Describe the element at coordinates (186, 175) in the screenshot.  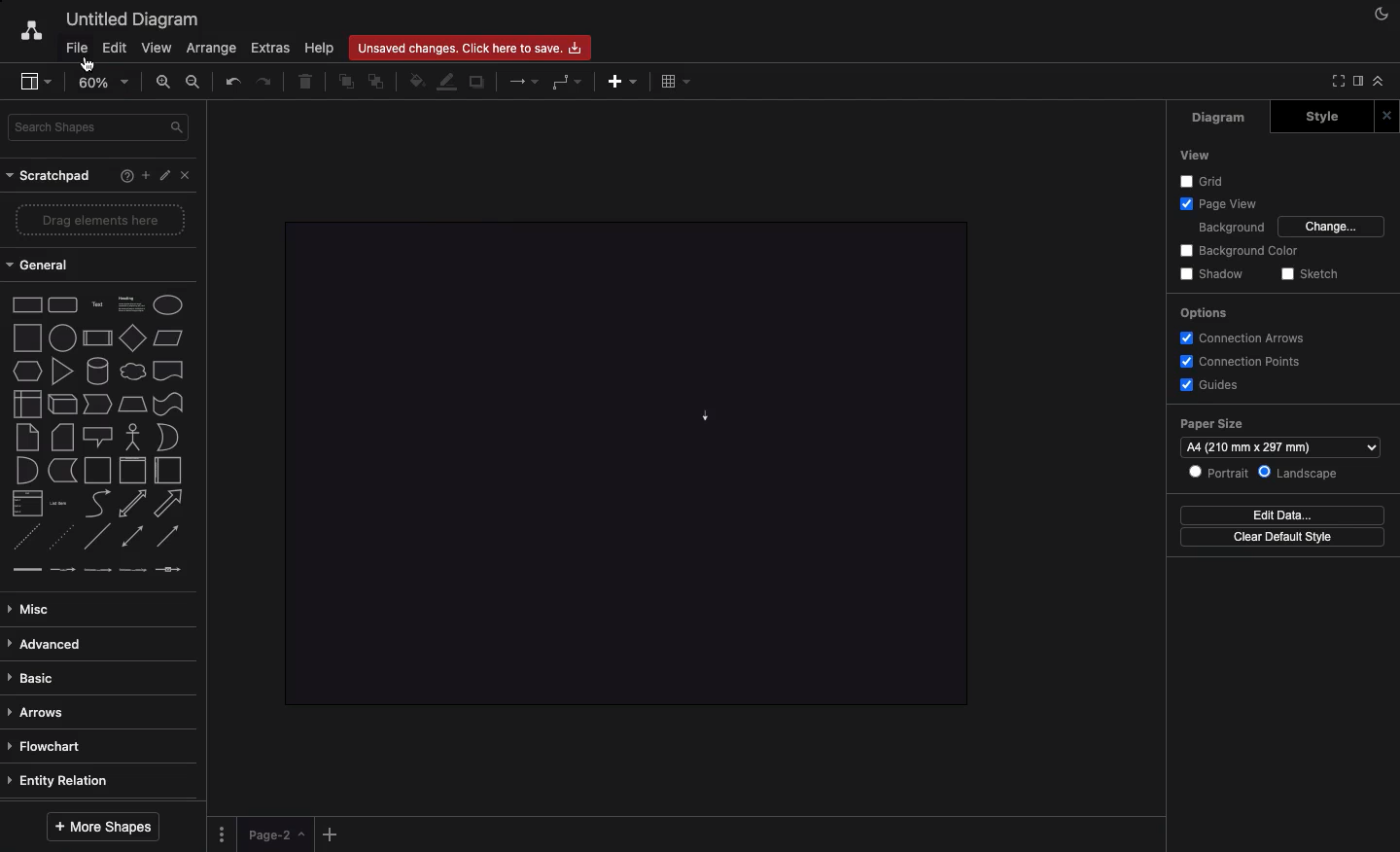
I see `Close` at that location.